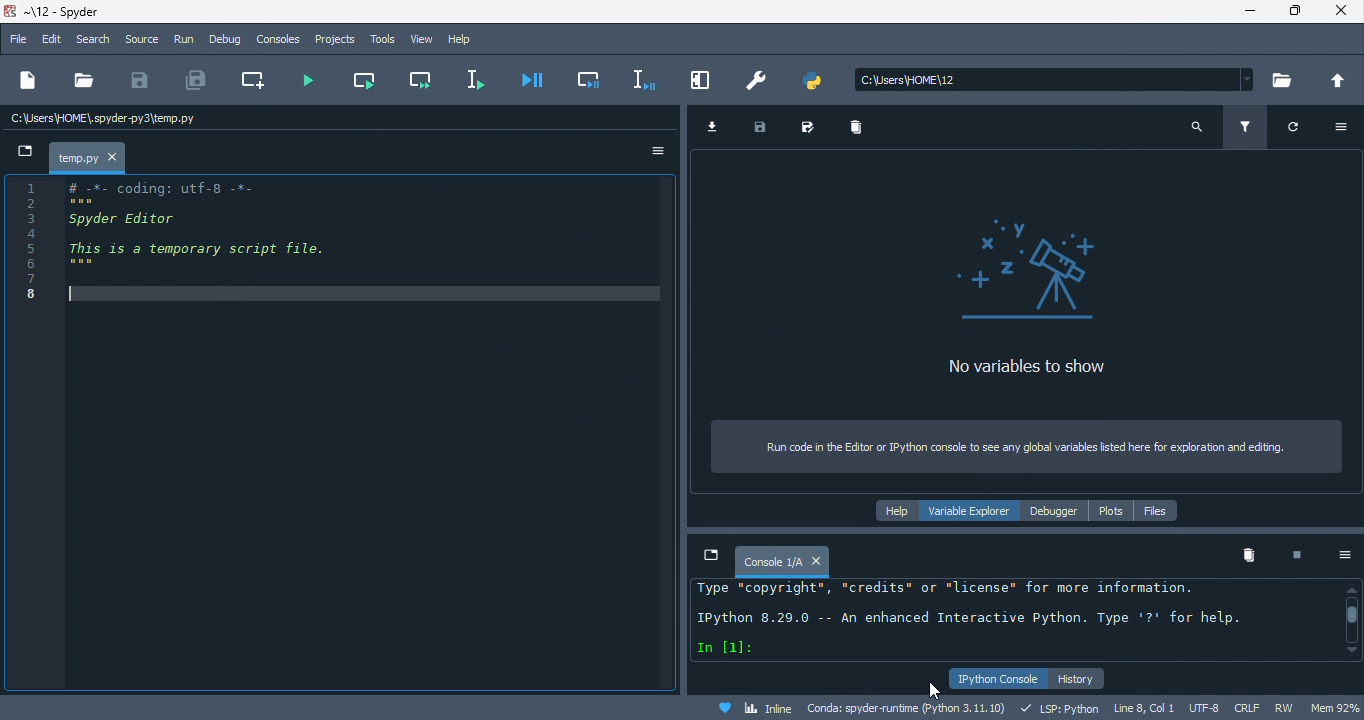 Image resolution: width=1364 pixels, height=720 pixels. Describe the element at coordinates (1249, 556) in the screenshot. I see `remove all` at that location.